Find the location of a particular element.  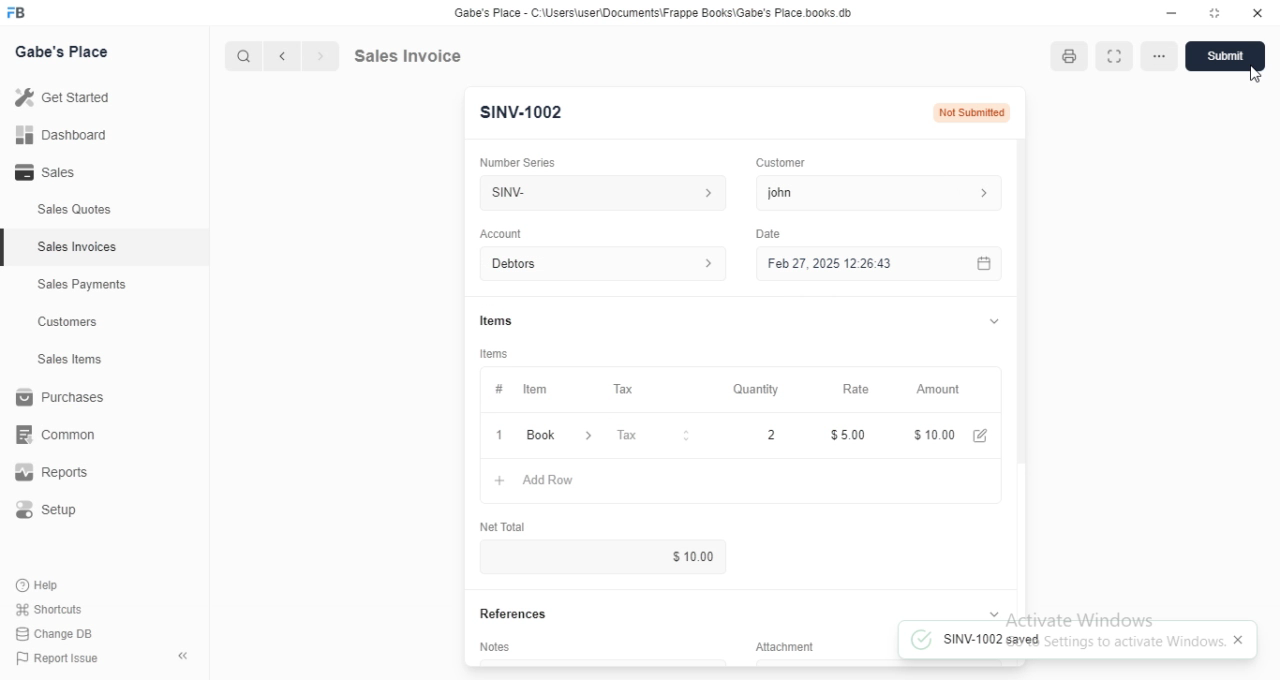

Search is located at coordinates (242, 53).